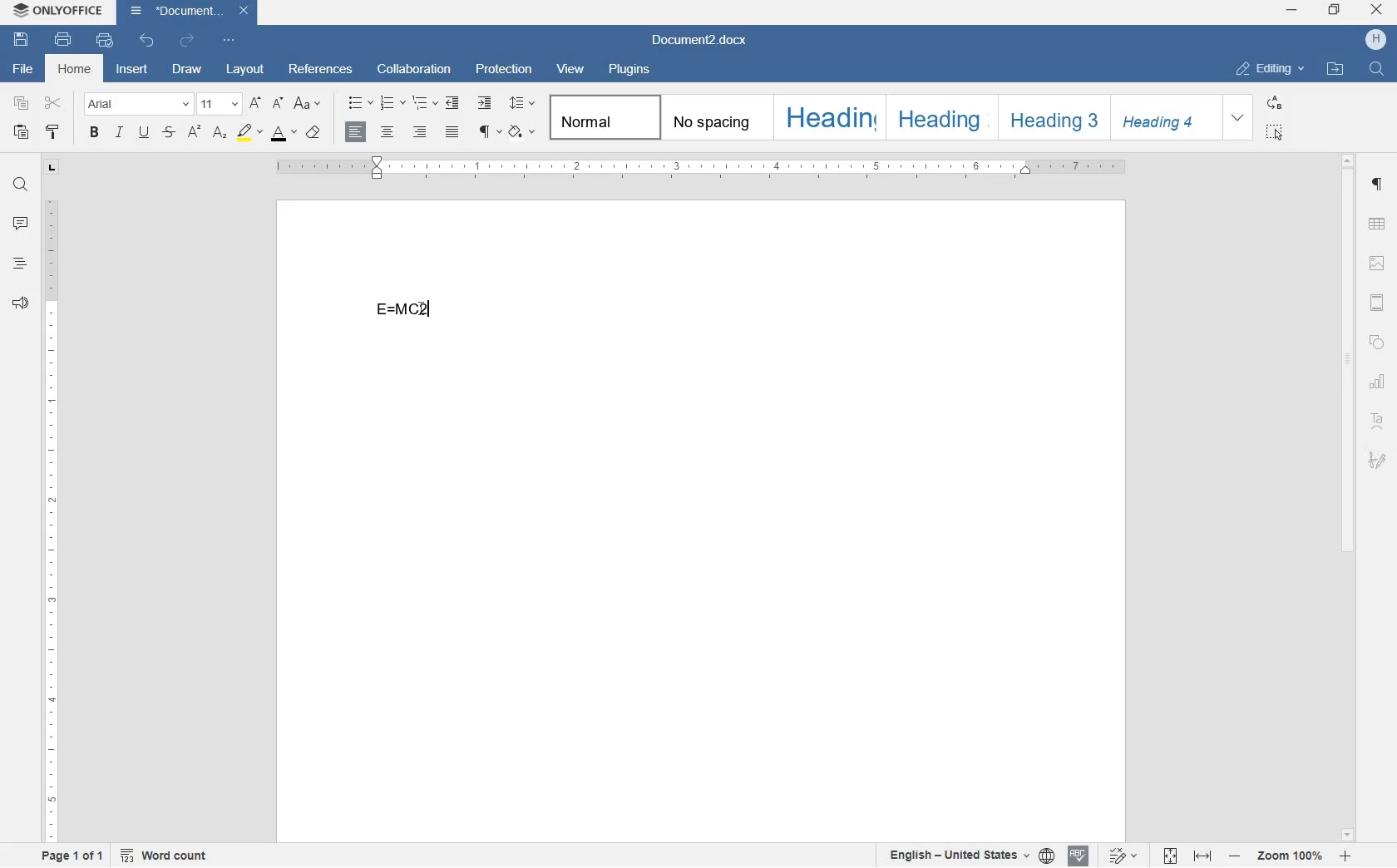 The width and height of the screenshot is (1397, 868). I want to click on expand formatting style, so click(1238, 117).